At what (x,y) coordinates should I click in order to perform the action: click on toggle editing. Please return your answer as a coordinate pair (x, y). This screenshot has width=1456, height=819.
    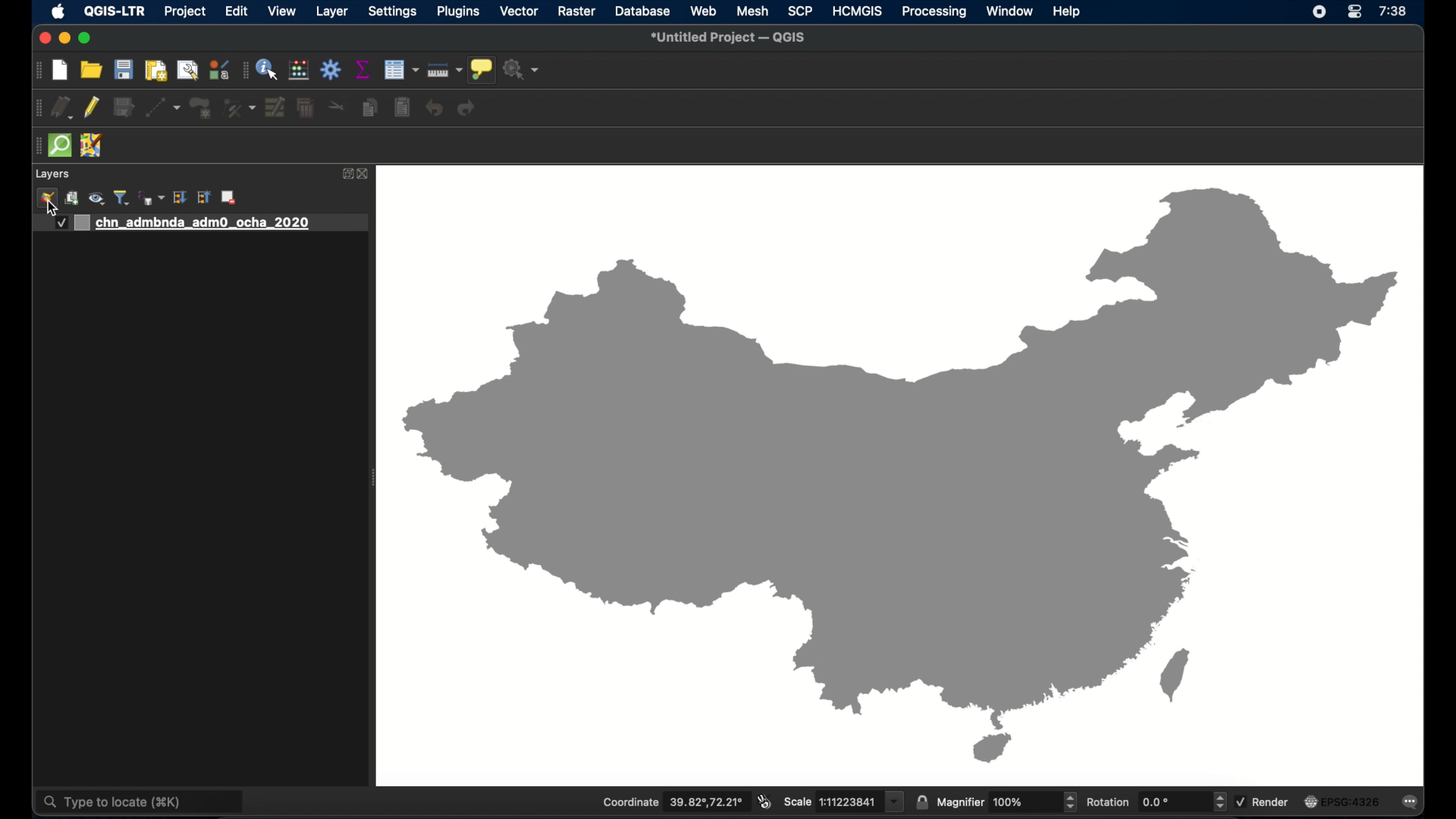
    Looking at the image, I should click on (92, 107).